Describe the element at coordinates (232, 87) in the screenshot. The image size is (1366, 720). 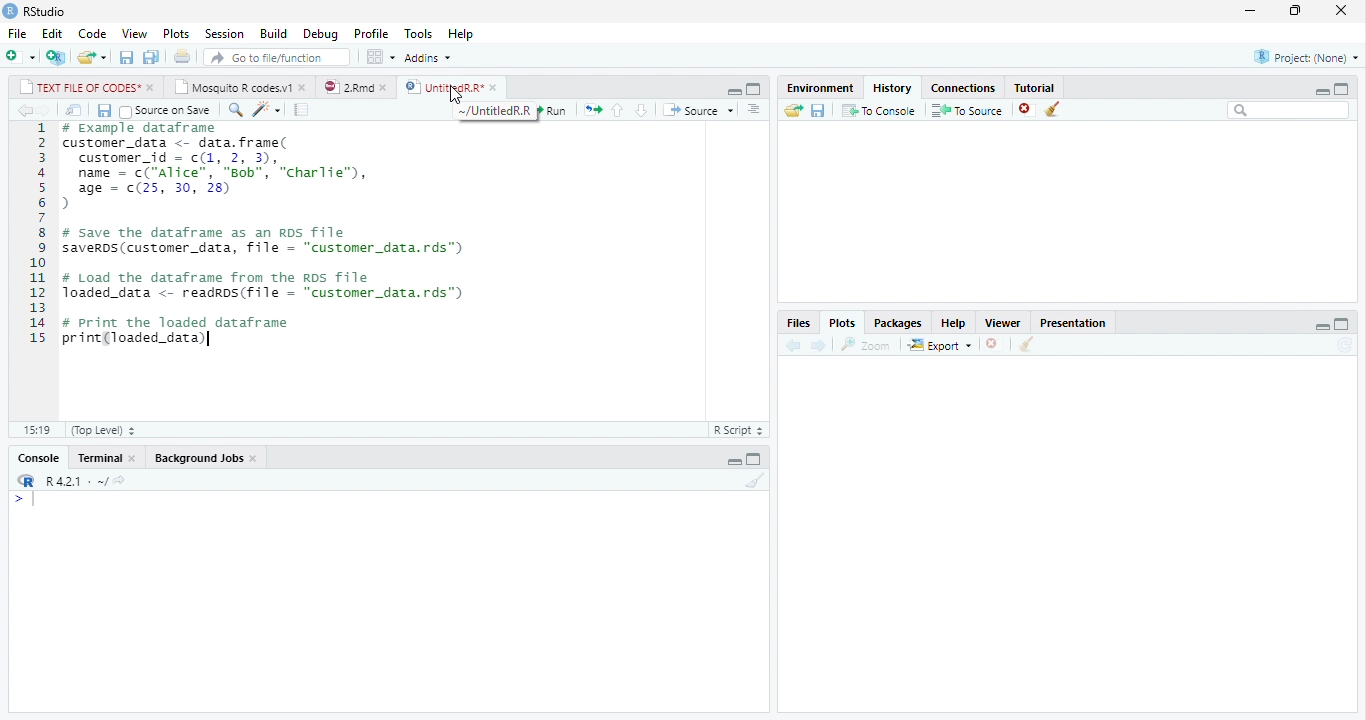
I see `Mosquito R codes.v1` at that location.